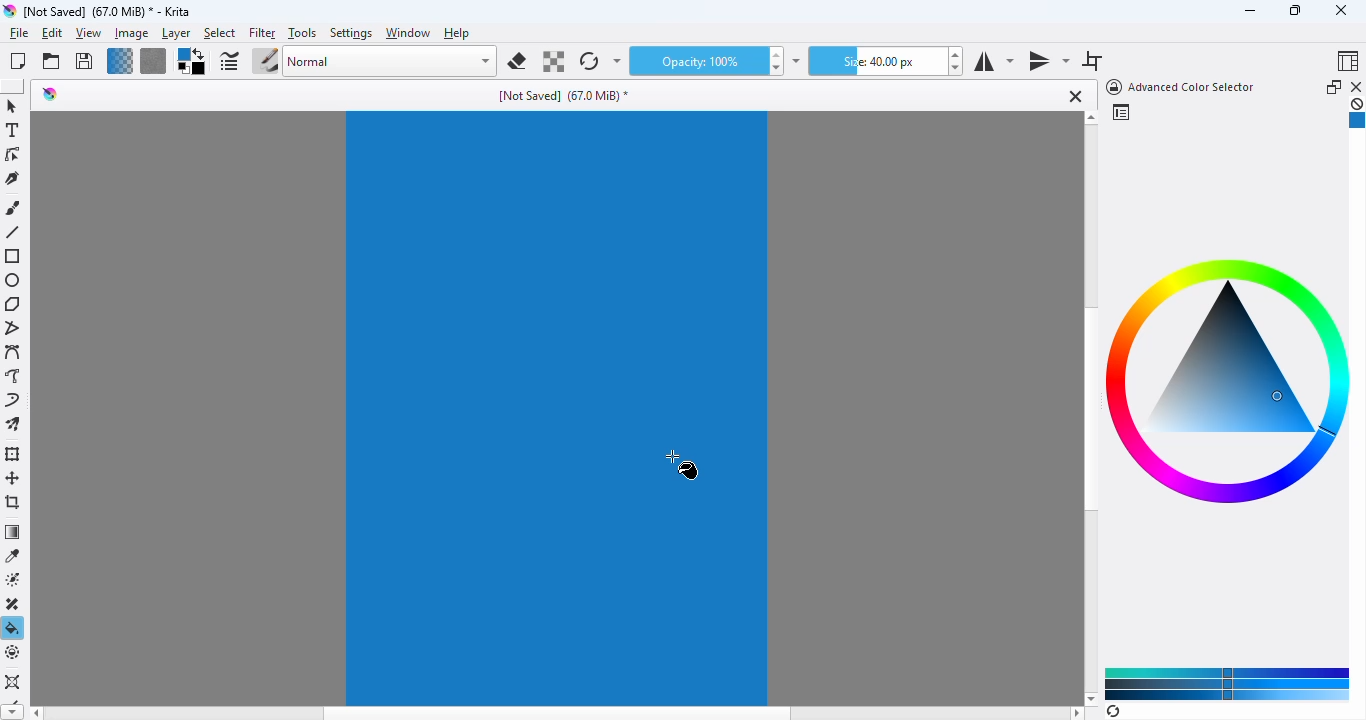 This screenshot has height=720, width=1366. What do you see at coordinates (1349, 60) in the screenshot?
I see `choose workspace` at bounding box center [1349, 60].